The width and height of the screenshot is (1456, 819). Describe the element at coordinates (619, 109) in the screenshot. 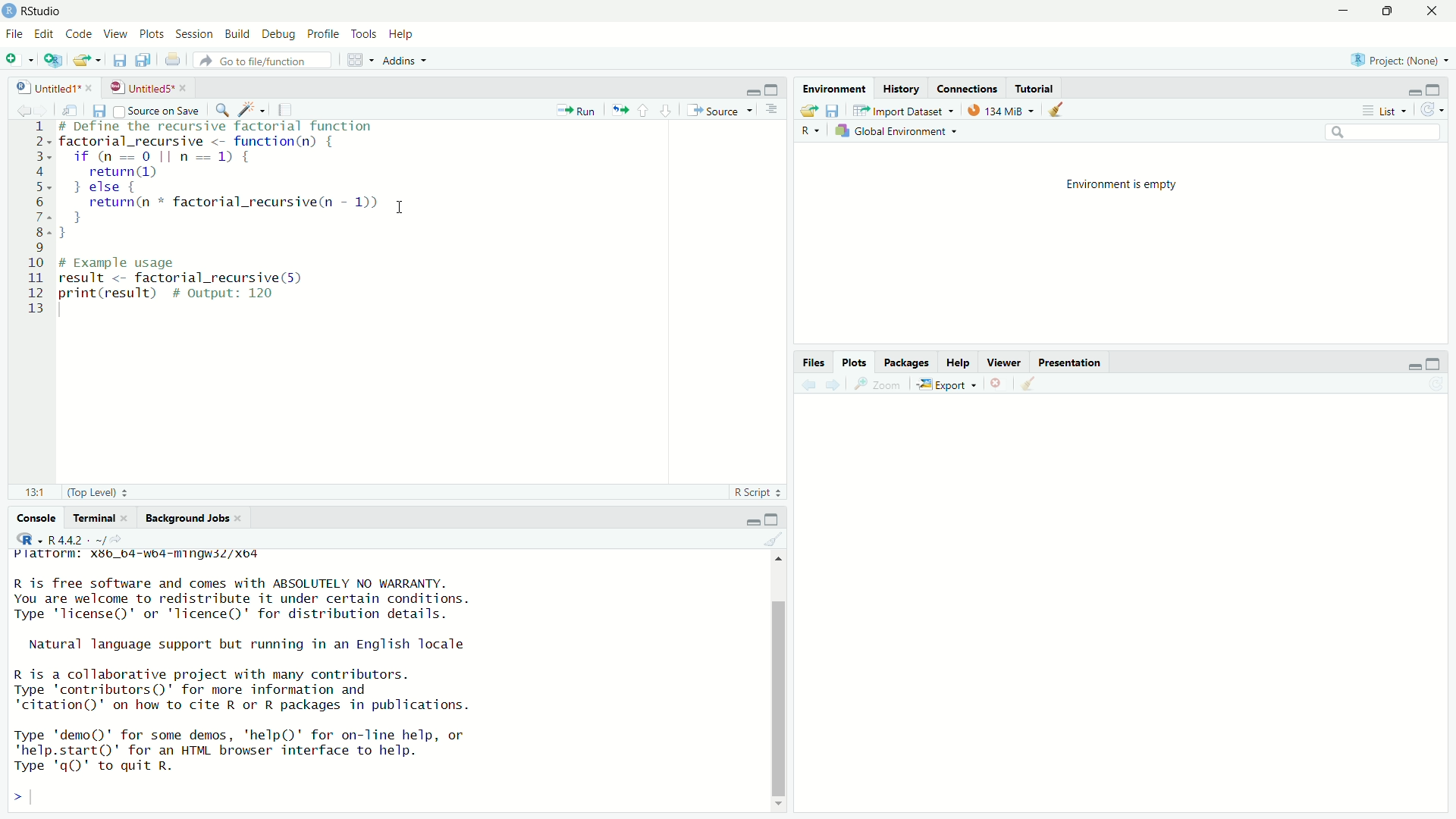

I see `Re-run the previous code region (Ctrl + Alt + P)` at that location.